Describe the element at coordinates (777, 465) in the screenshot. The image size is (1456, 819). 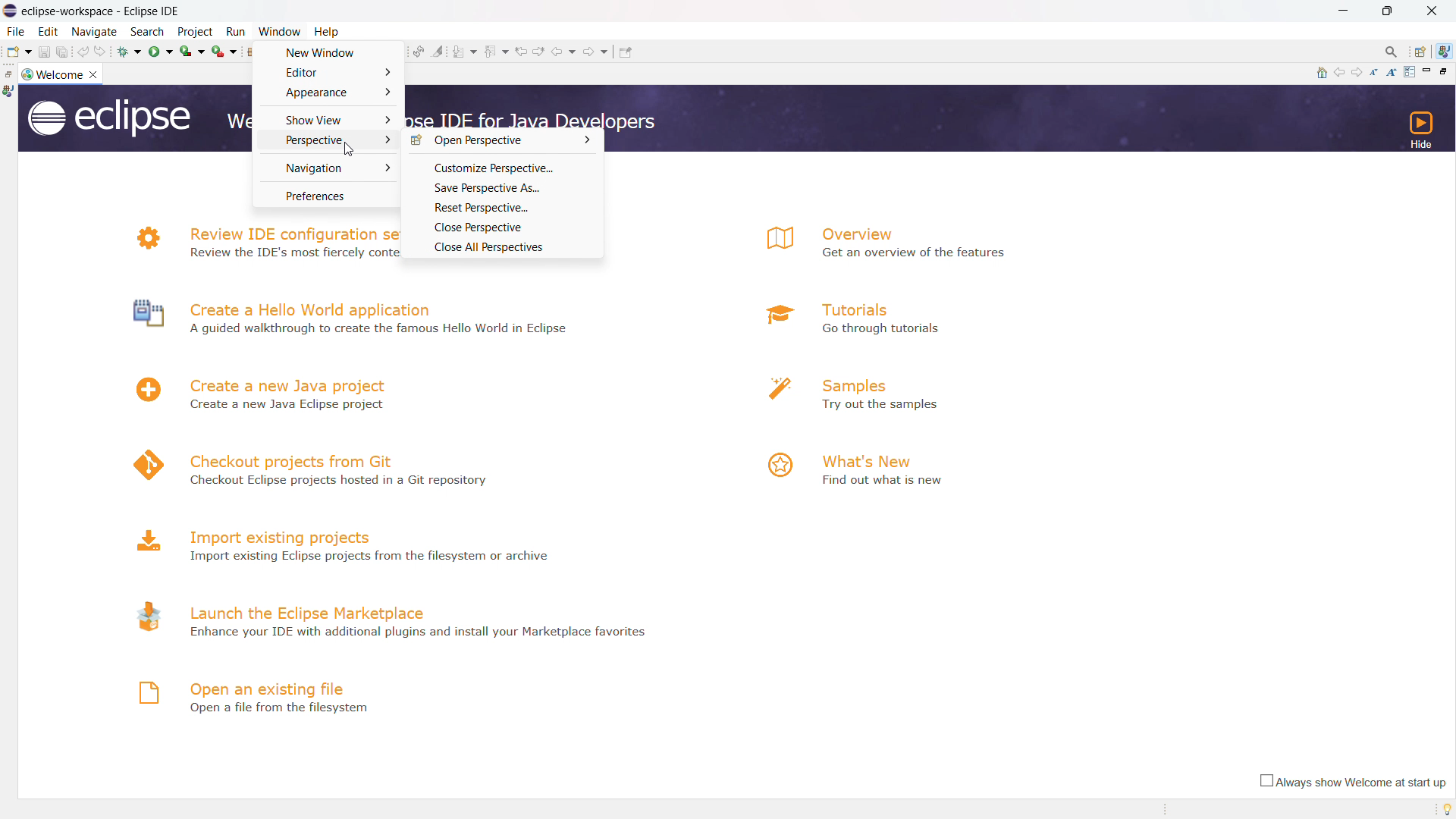
I see `logo` at that location.